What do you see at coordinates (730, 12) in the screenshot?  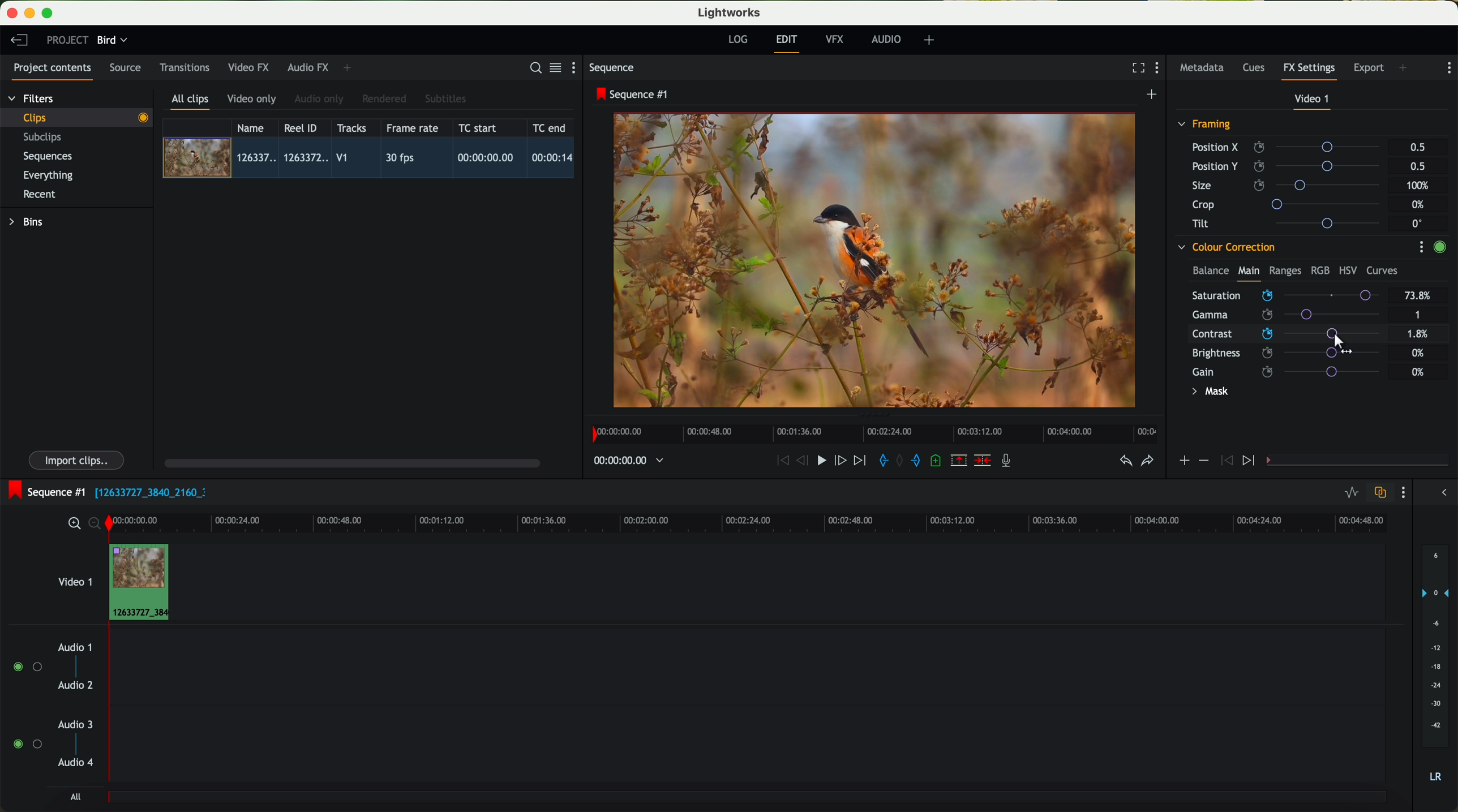 I see `Lightworks` at bounding box center [730, 12].